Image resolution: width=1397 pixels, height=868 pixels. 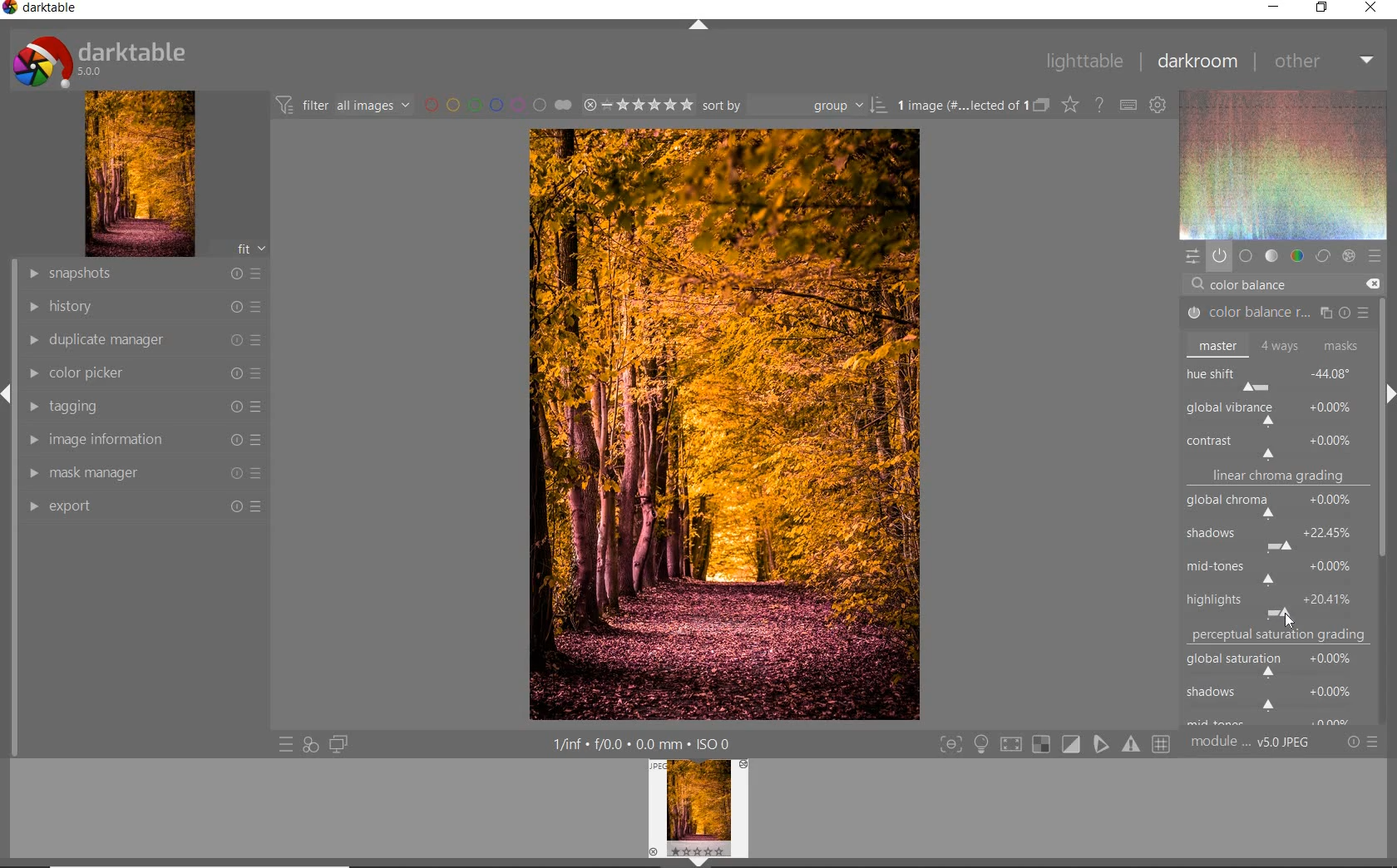 I want to click on other interface detail, so click(x=644, y=744).